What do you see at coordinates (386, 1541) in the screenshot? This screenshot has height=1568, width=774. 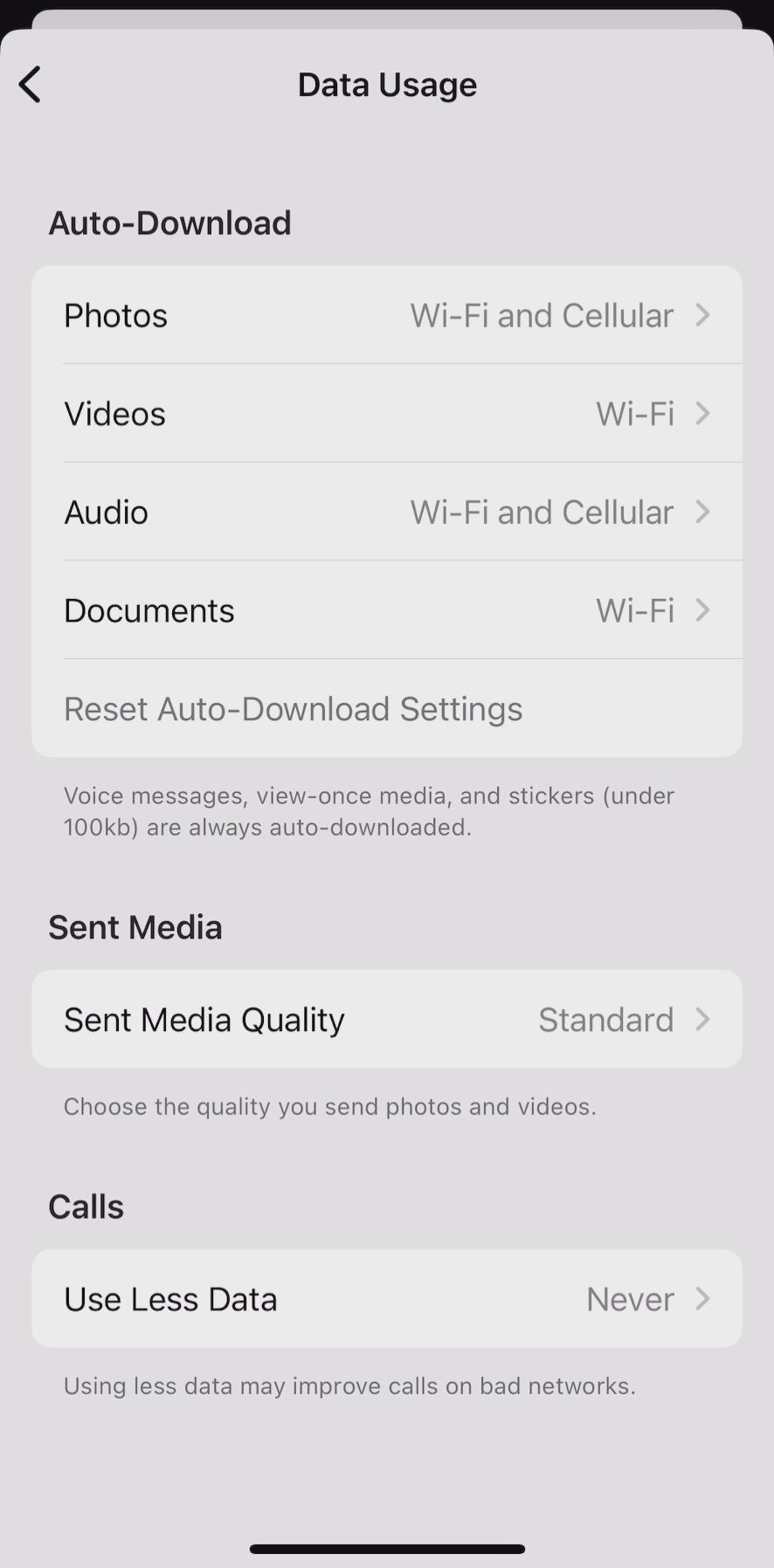 I see `pull down ` at bounding box center [386, 1541].